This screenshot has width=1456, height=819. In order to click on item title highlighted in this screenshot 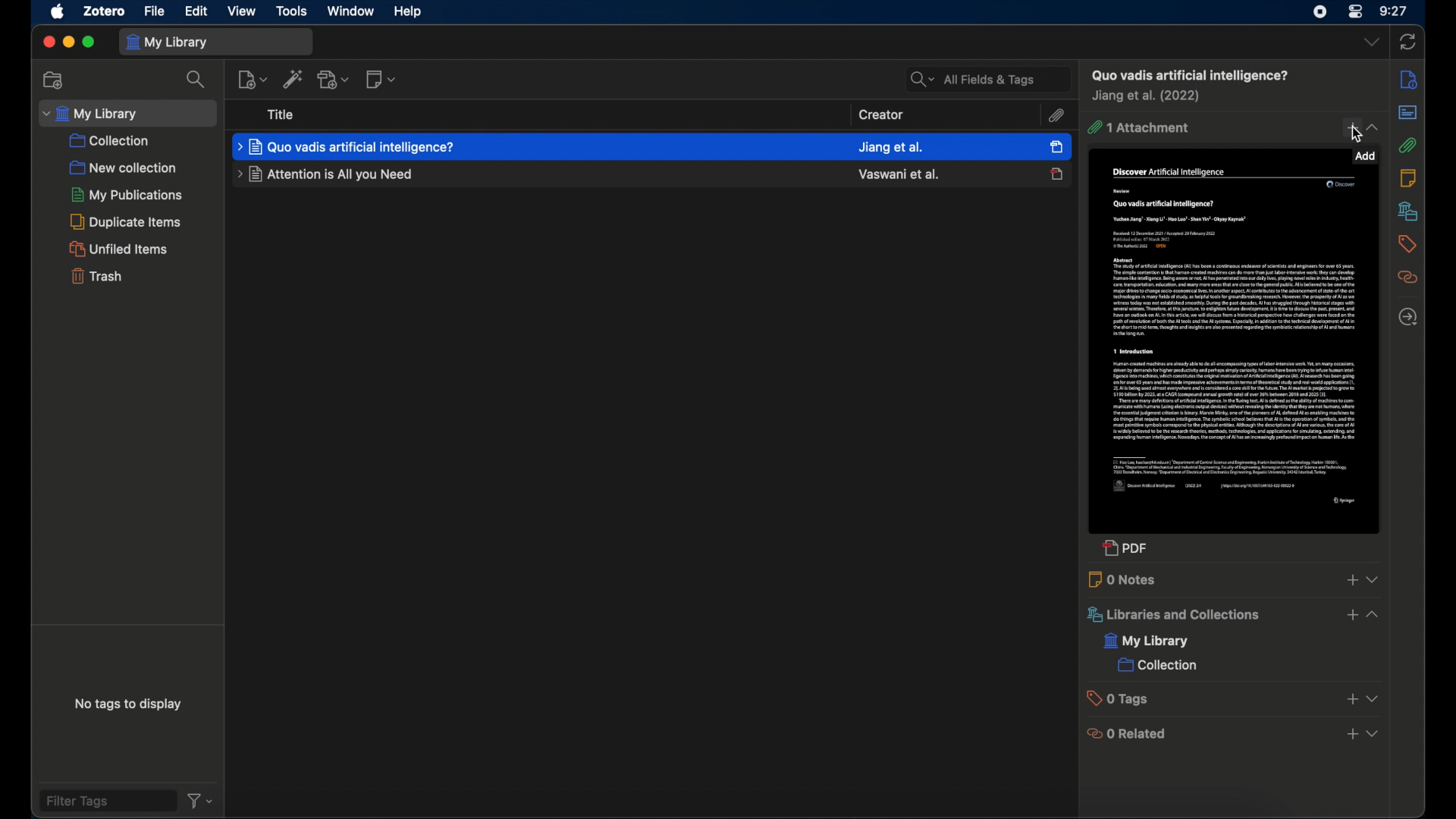, I will do `click(348, 146)`.